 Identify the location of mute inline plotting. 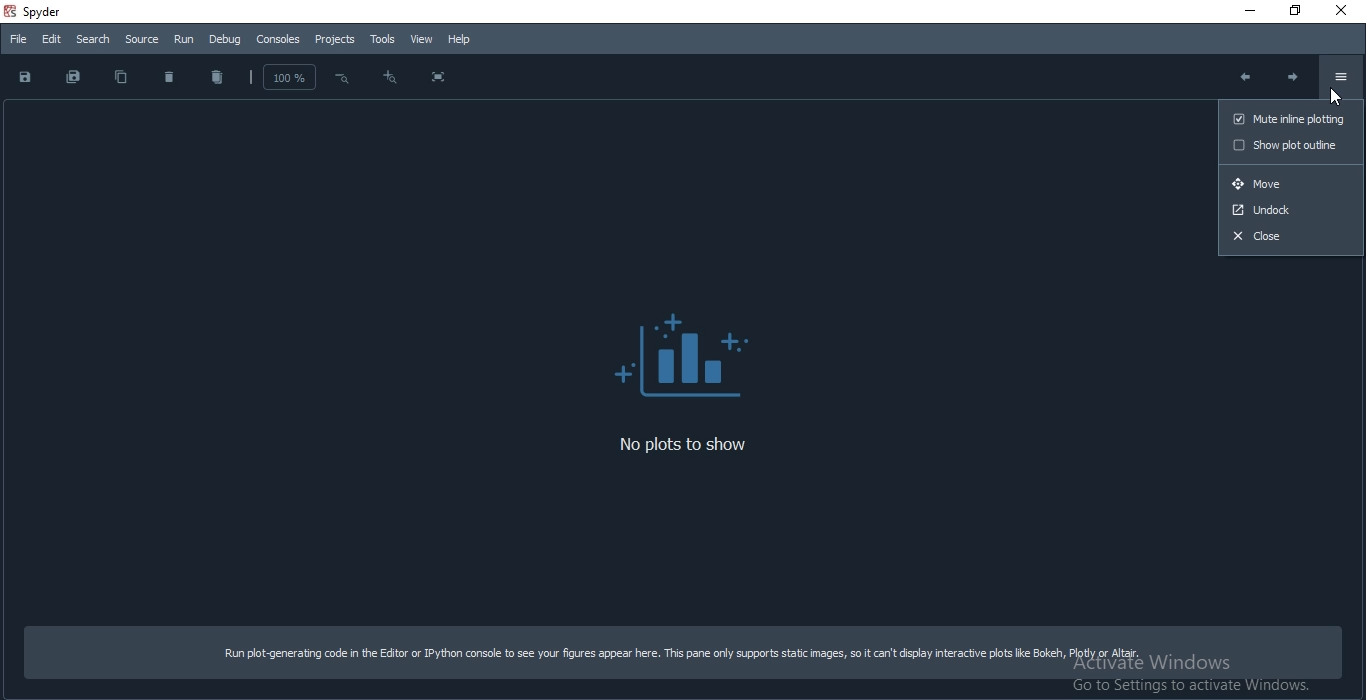
(1286, 118).